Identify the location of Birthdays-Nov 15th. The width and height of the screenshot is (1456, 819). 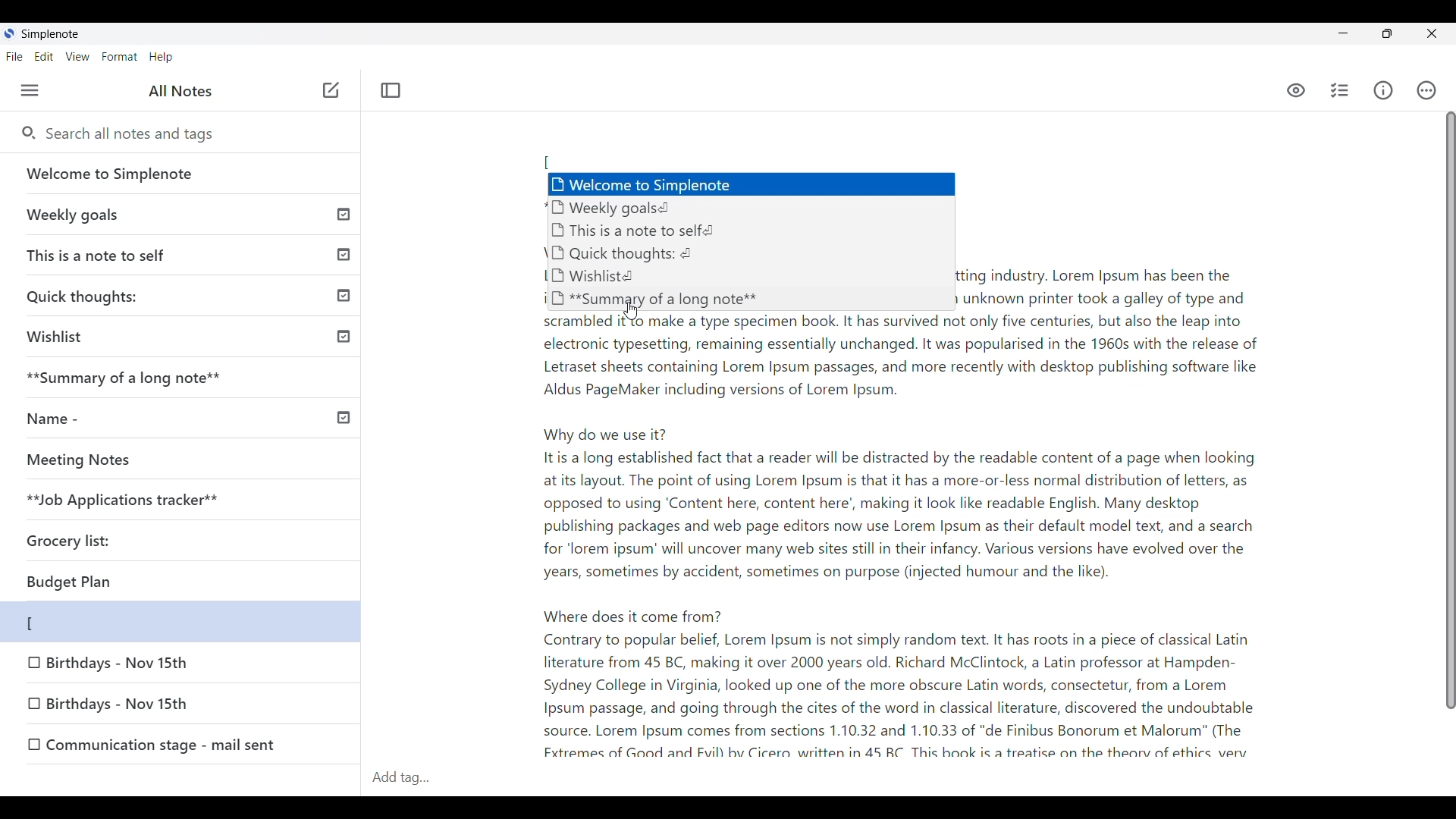
(155, 708).